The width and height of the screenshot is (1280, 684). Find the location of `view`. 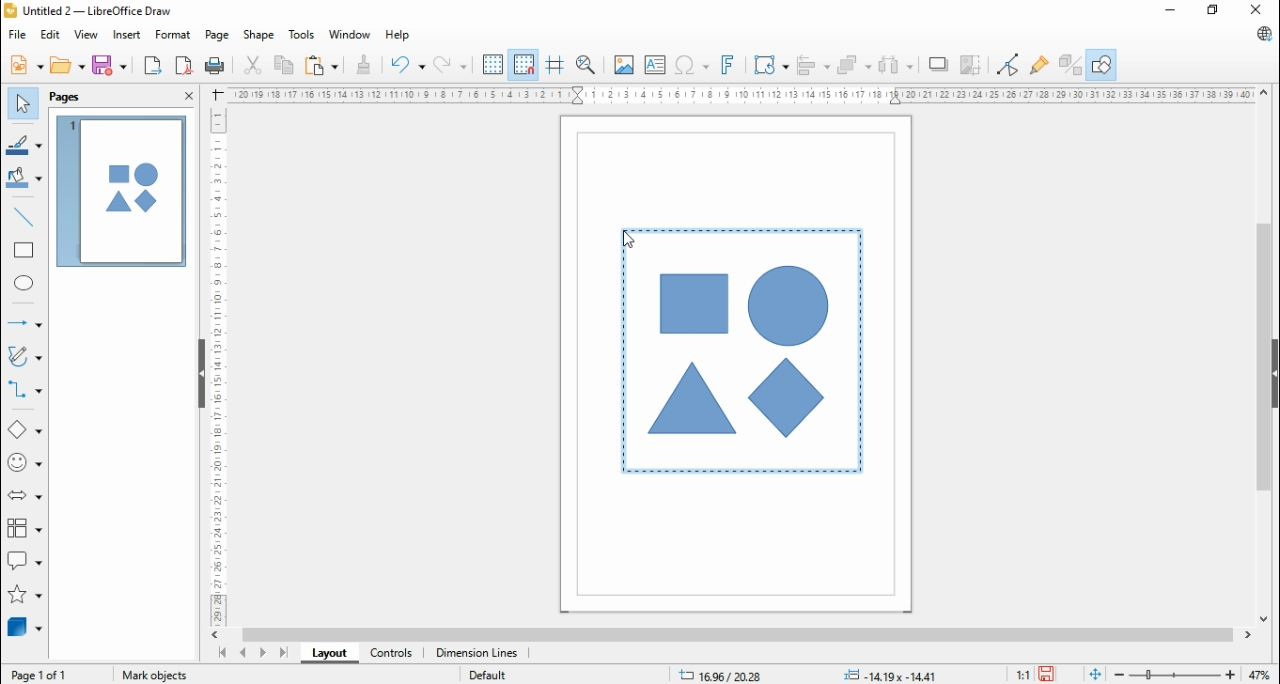

view is located at coordinates (87, 35).